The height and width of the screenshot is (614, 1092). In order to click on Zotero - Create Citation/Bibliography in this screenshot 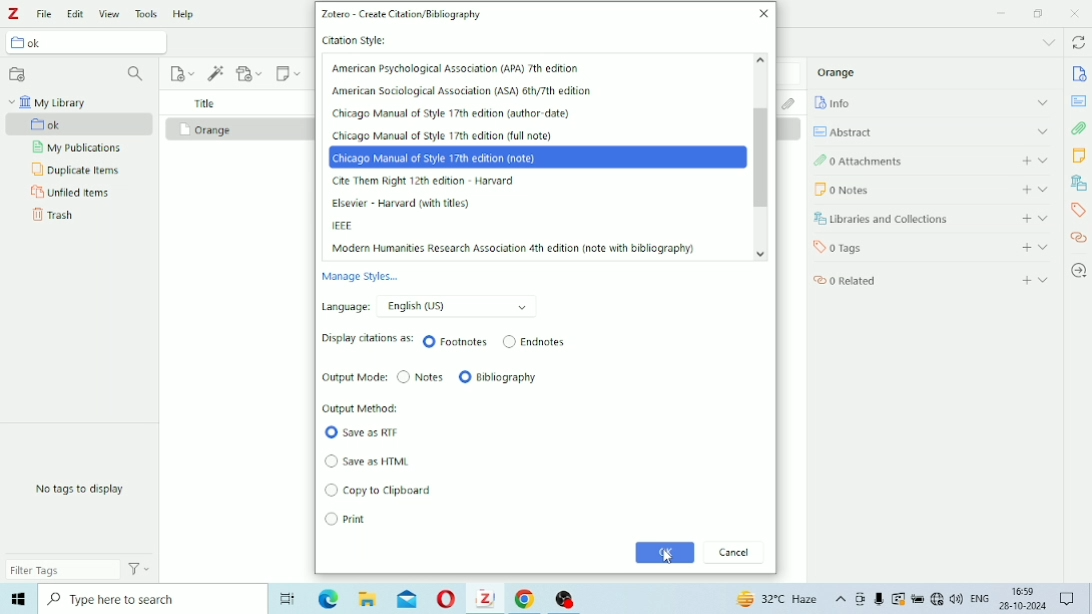, I will do `click(403, 15)`.